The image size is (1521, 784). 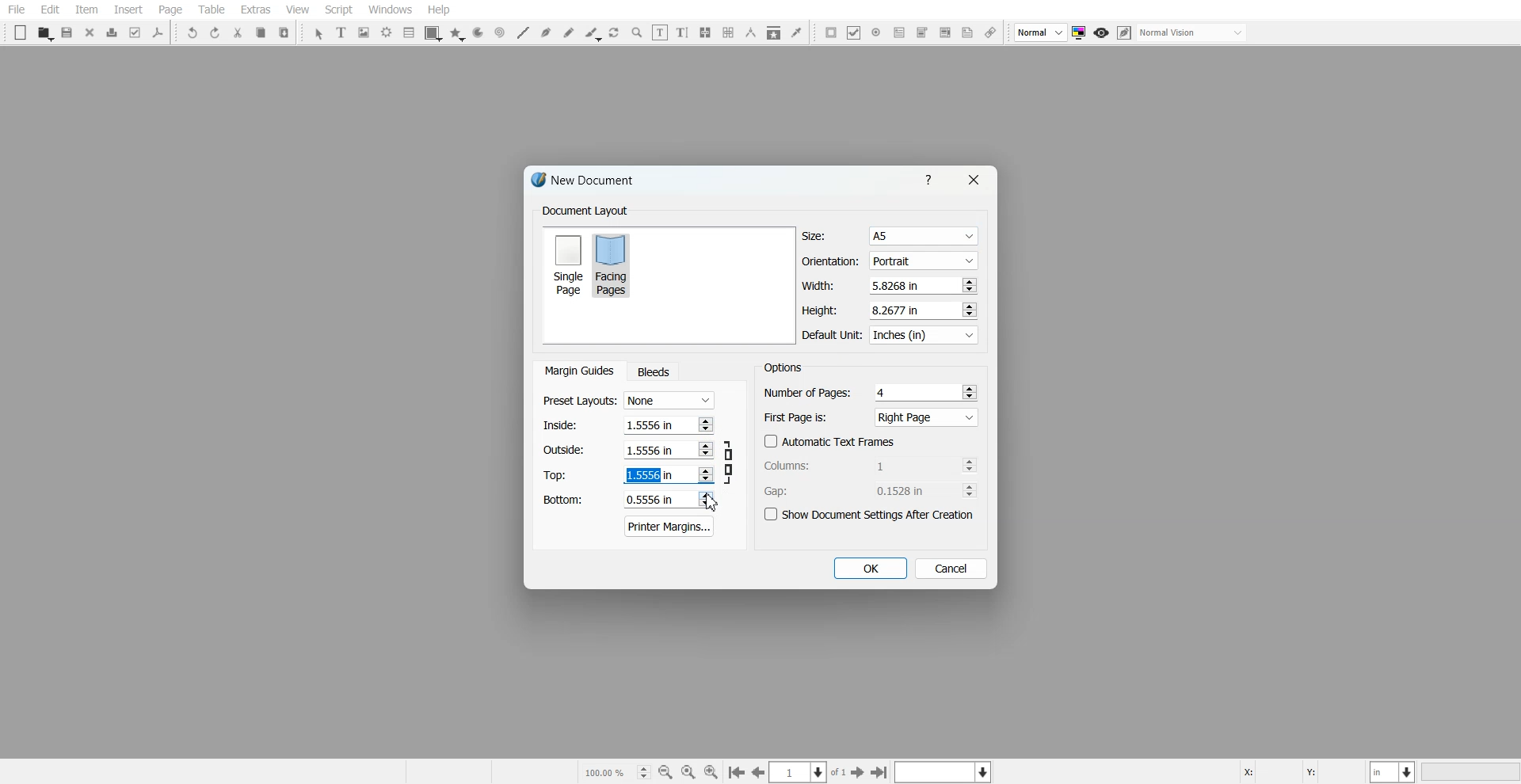 What do you see at coordinates (660, 32) in the screenshot?
I see `Edit contents of frame` at bounding box center [660, 32].